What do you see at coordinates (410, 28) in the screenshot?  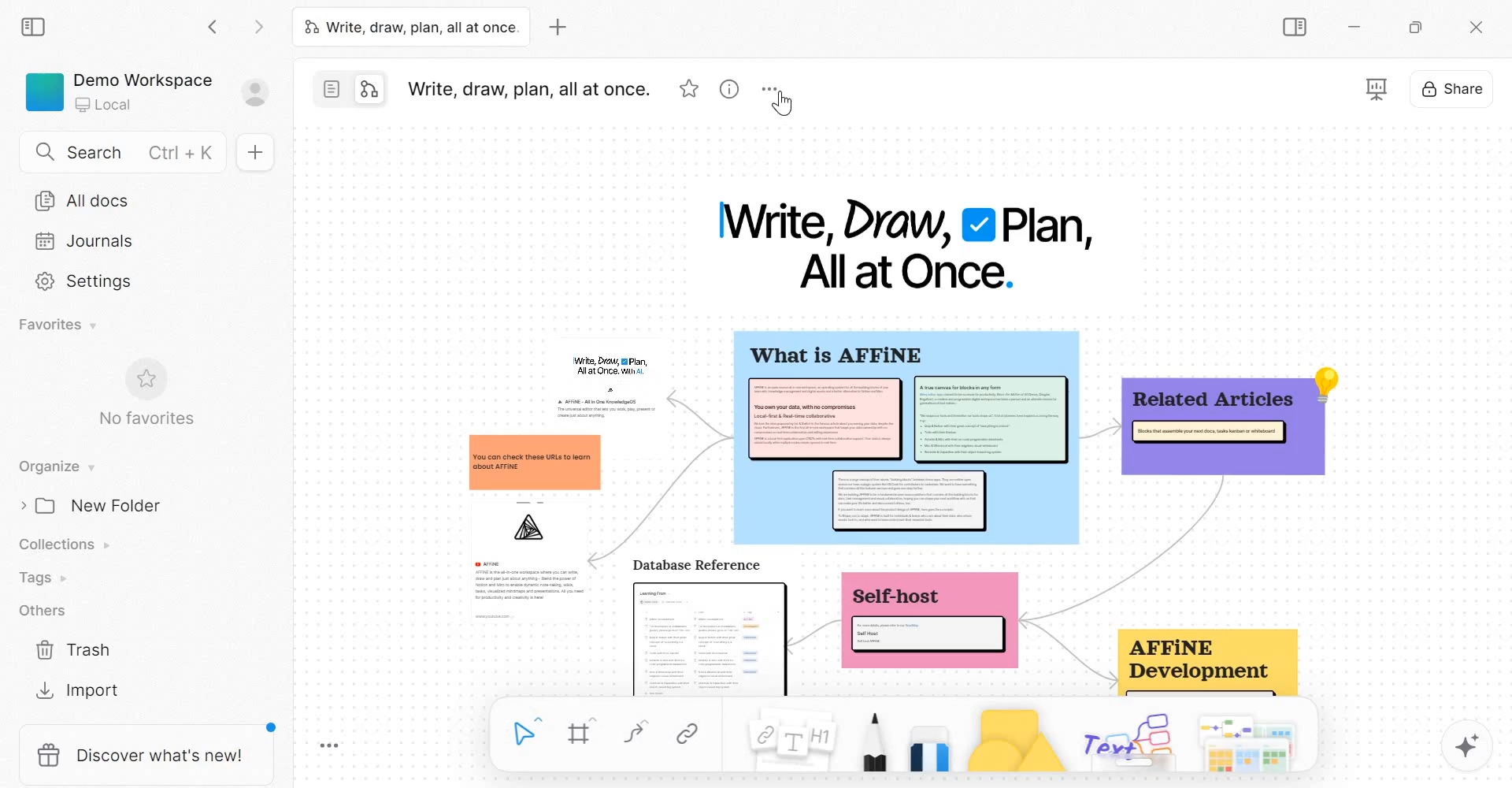 I see `Write, draw, plan, all at once` at bounding box center [410, 28].